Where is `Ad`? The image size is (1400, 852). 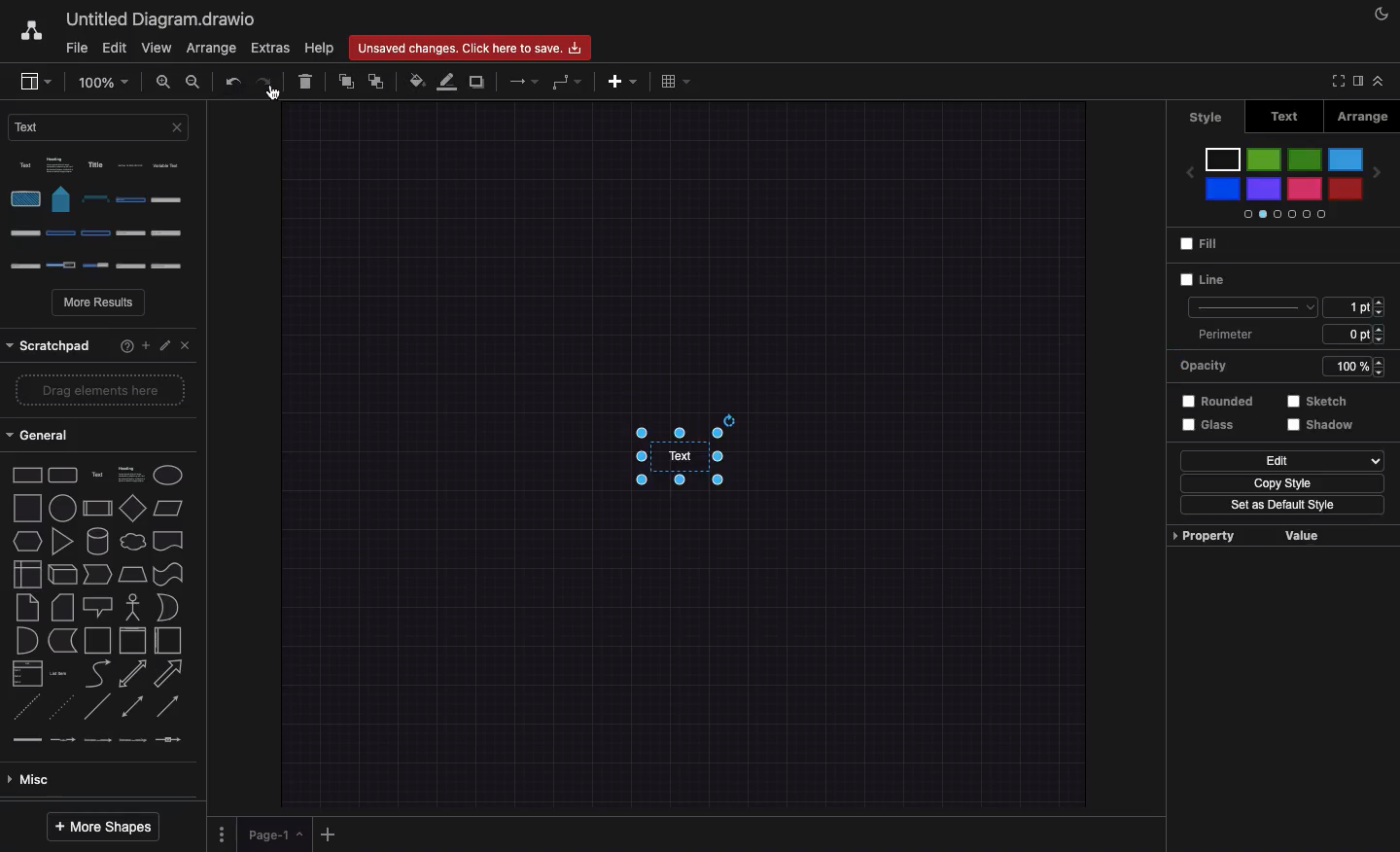 Ad is located at coordinates (624, 81).